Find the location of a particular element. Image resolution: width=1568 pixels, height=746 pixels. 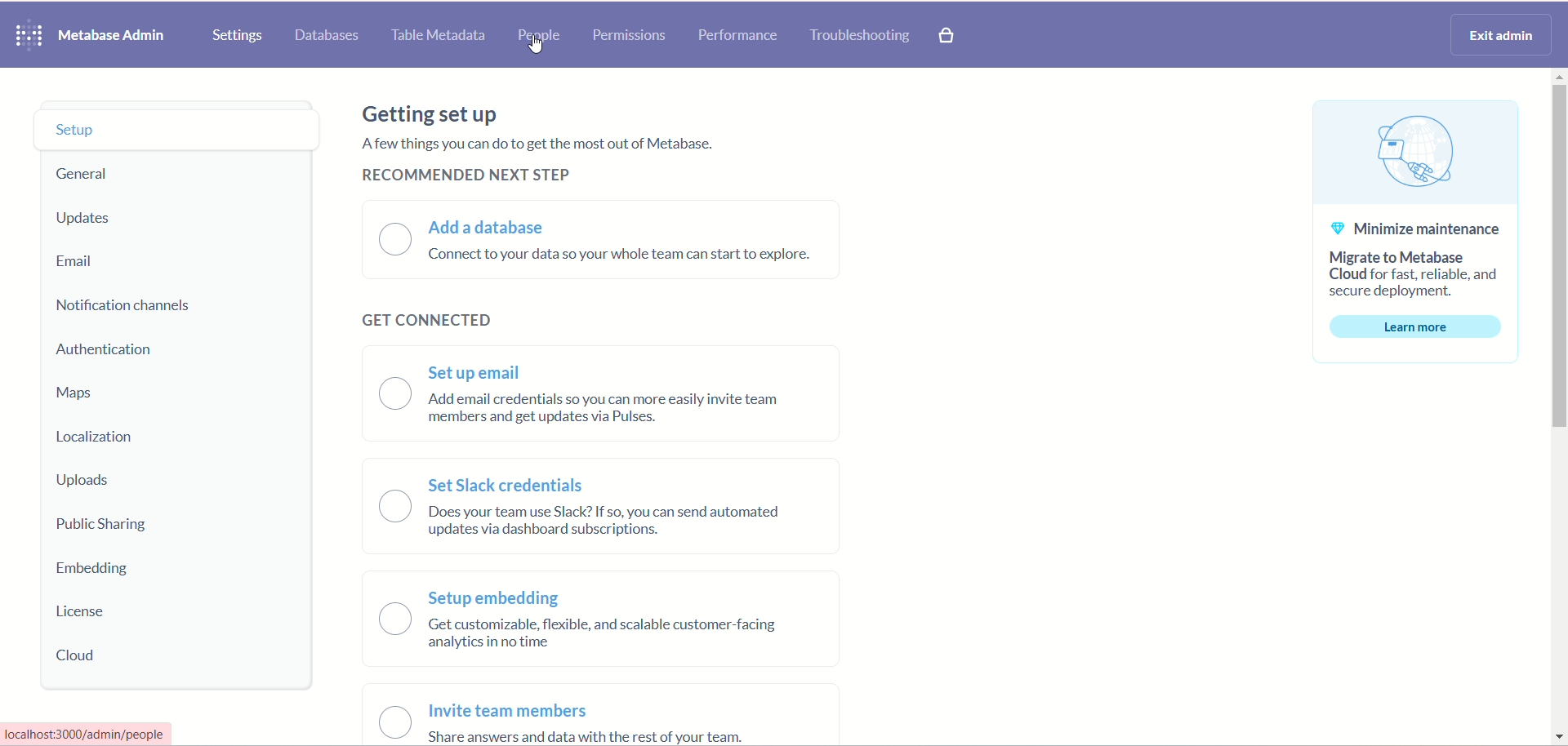

authentication is located at coordinates (111, 351).